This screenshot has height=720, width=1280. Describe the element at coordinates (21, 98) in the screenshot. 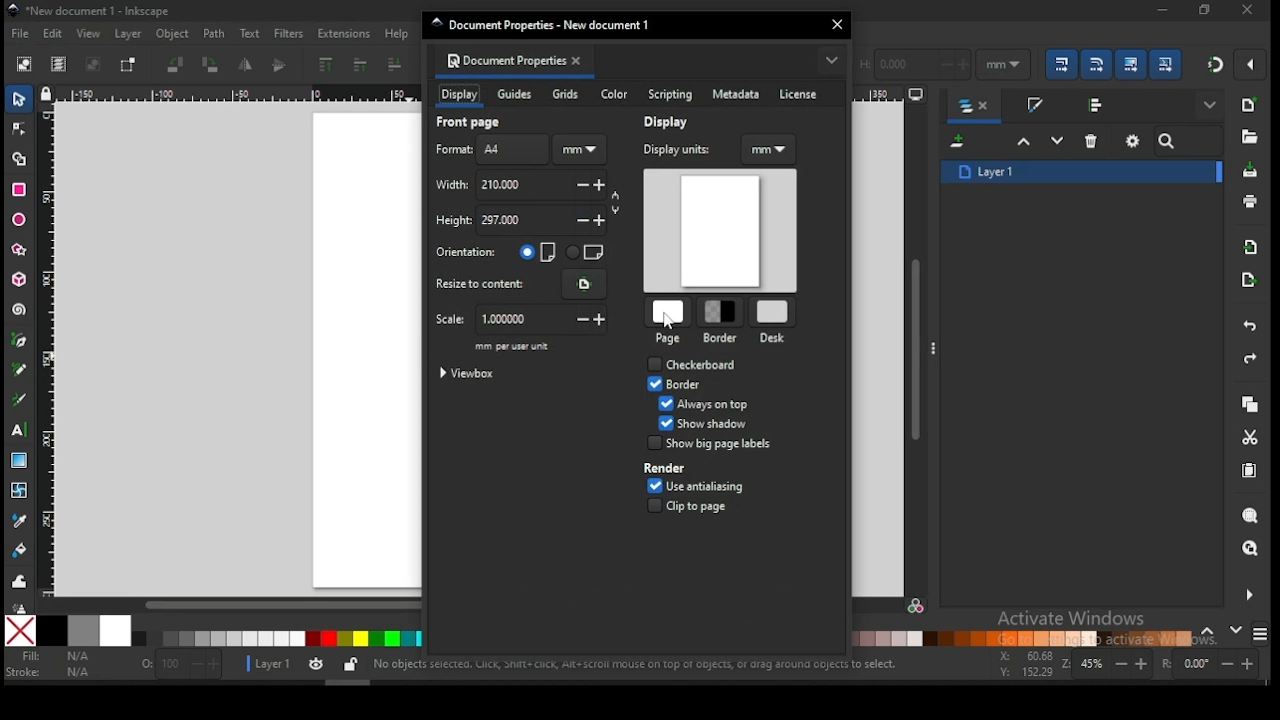

I see `select` at that location.